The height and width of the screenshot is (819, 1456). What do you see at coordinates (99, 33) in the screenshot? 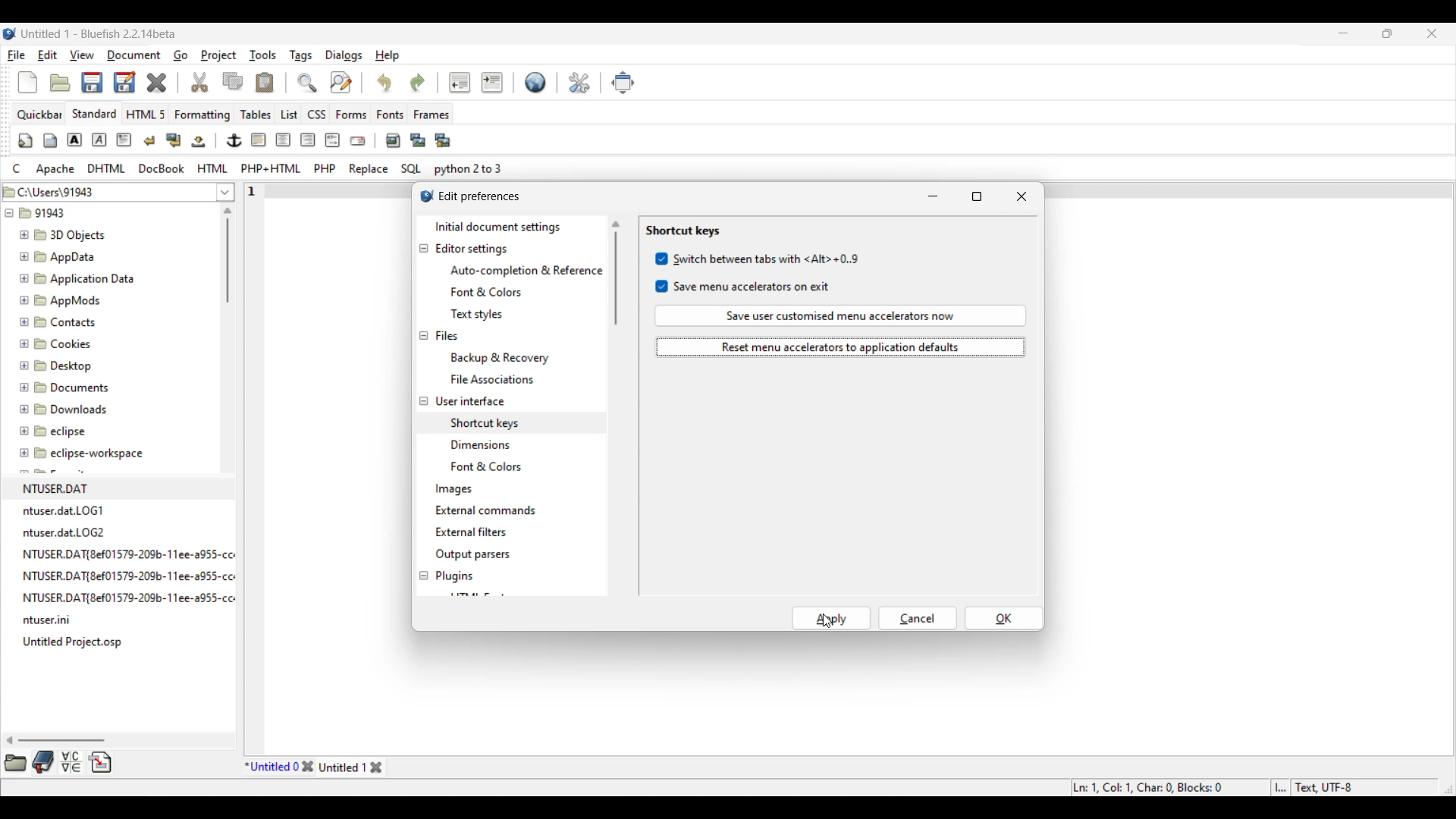
I see `Project name, software name and version` at bounding box center [99, 33].